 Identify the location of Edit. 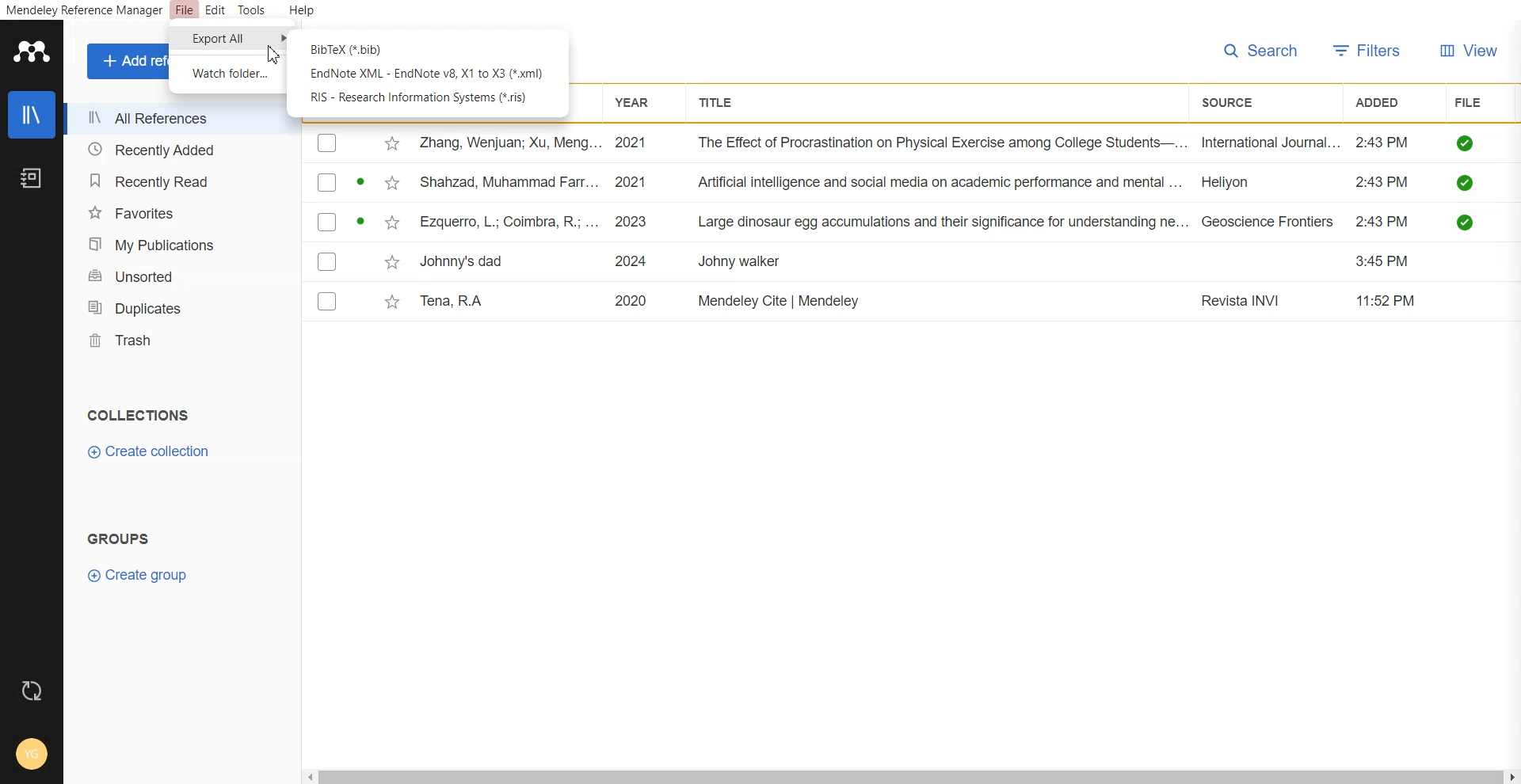
(215, 11).